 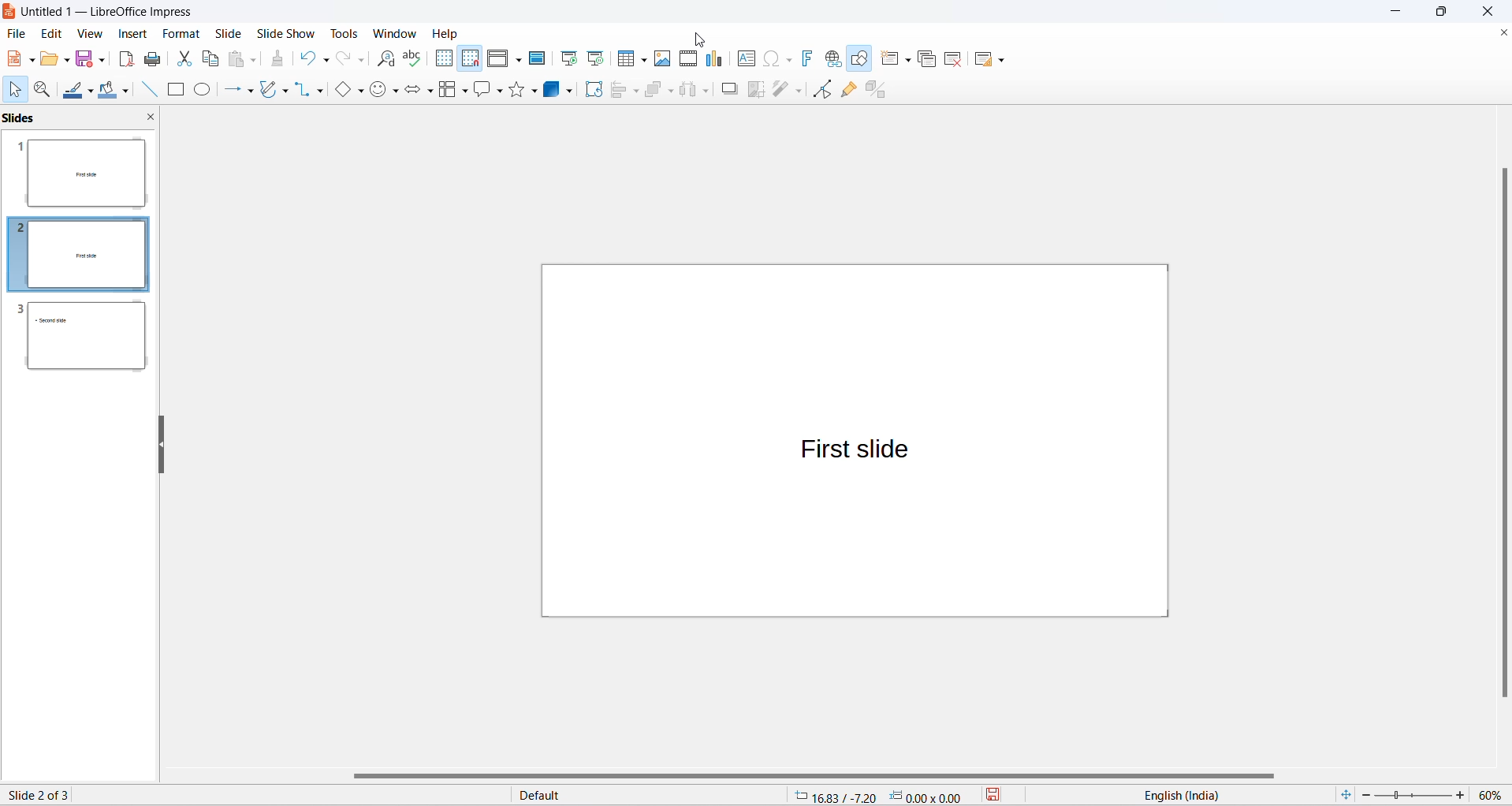 I want to click on line color options, so click(x=89, y=89).